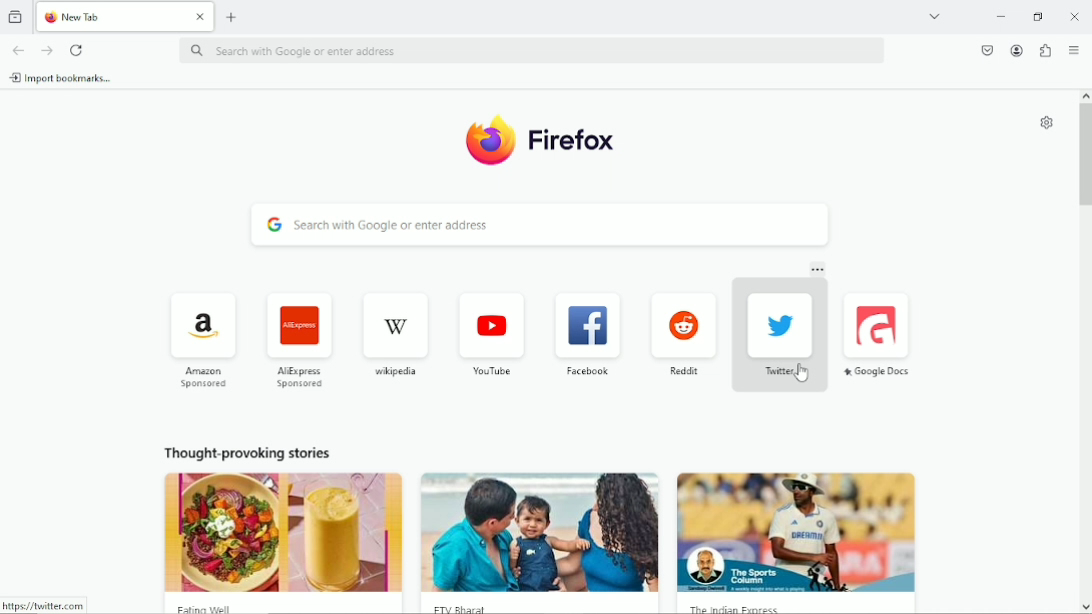 The height and width of the screenshot is (614, 1092). What do you see at coordinates (1085, 154) in the screenshot?
I see `vertical scrollbar` at bounding box center [1085, 154].